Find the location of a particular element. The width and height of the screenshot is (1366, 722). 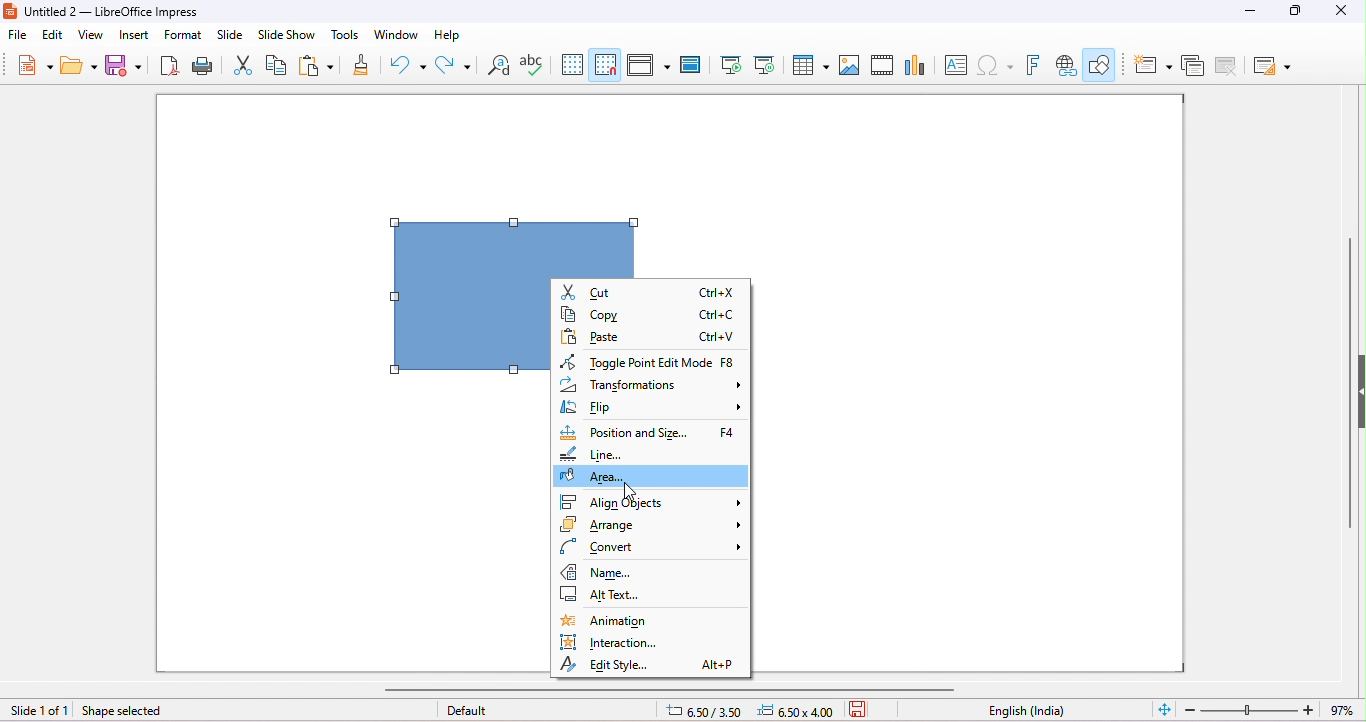

toggle point edit mode is located at coordinates (646, 361).